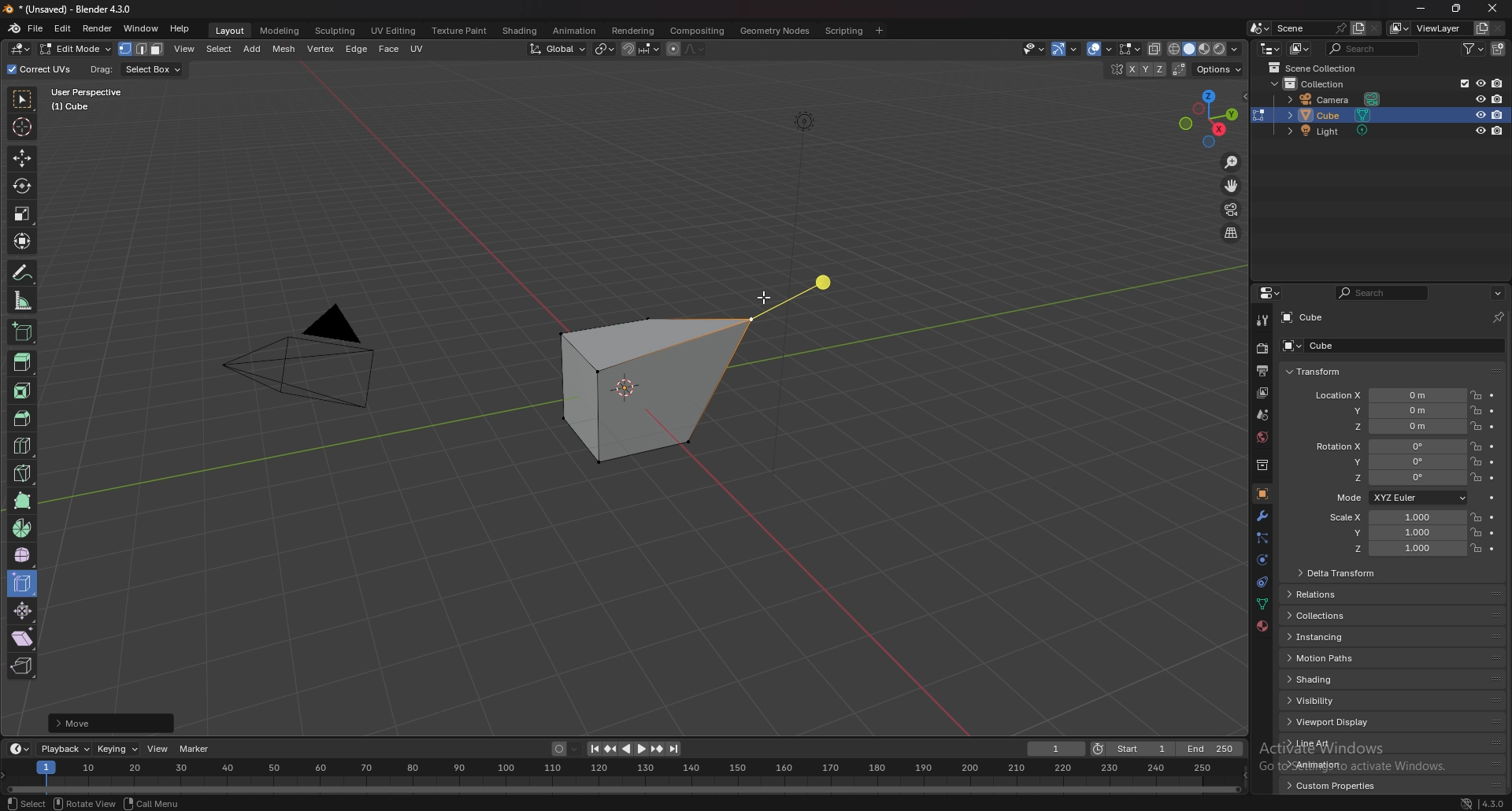 Image resolution: width=1512 pixels, height=811 pixels. Describe the element at coordinates (117, 750) in the screenshot. I see `keying` at that location.